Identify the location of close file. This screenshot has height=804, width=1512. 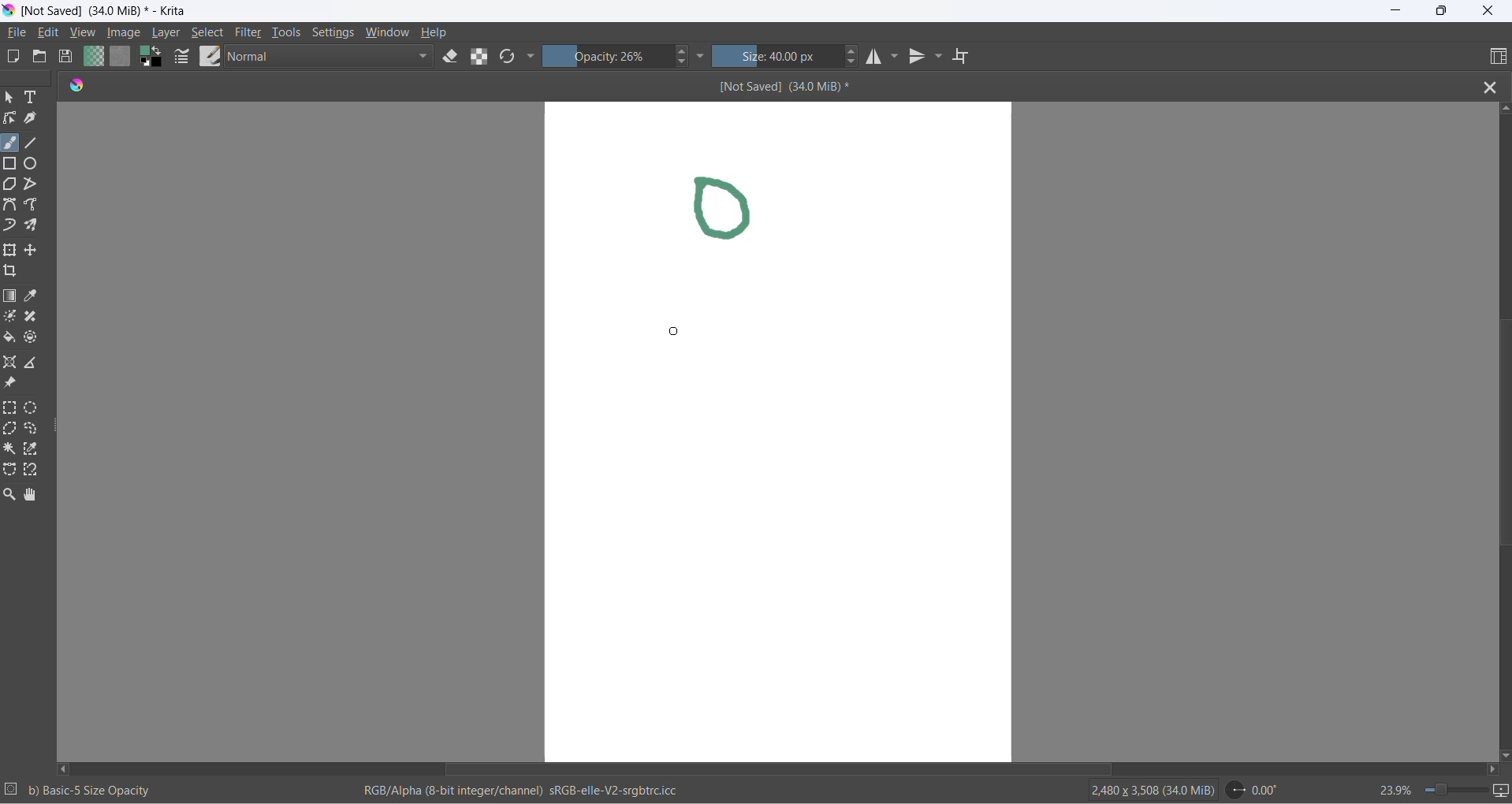
(1487, 86).